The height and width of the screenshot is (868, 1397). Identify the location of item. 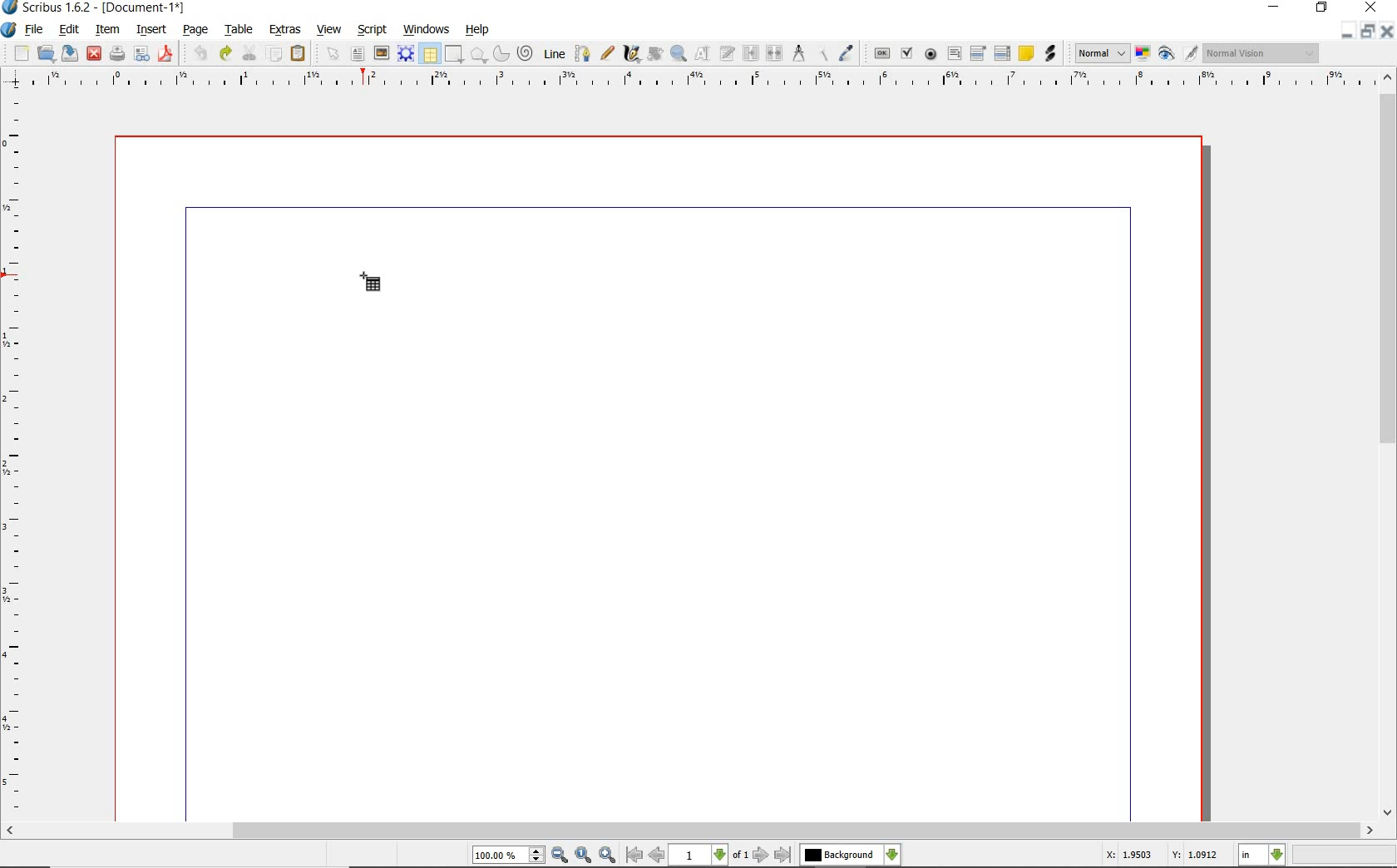
(106, 30).